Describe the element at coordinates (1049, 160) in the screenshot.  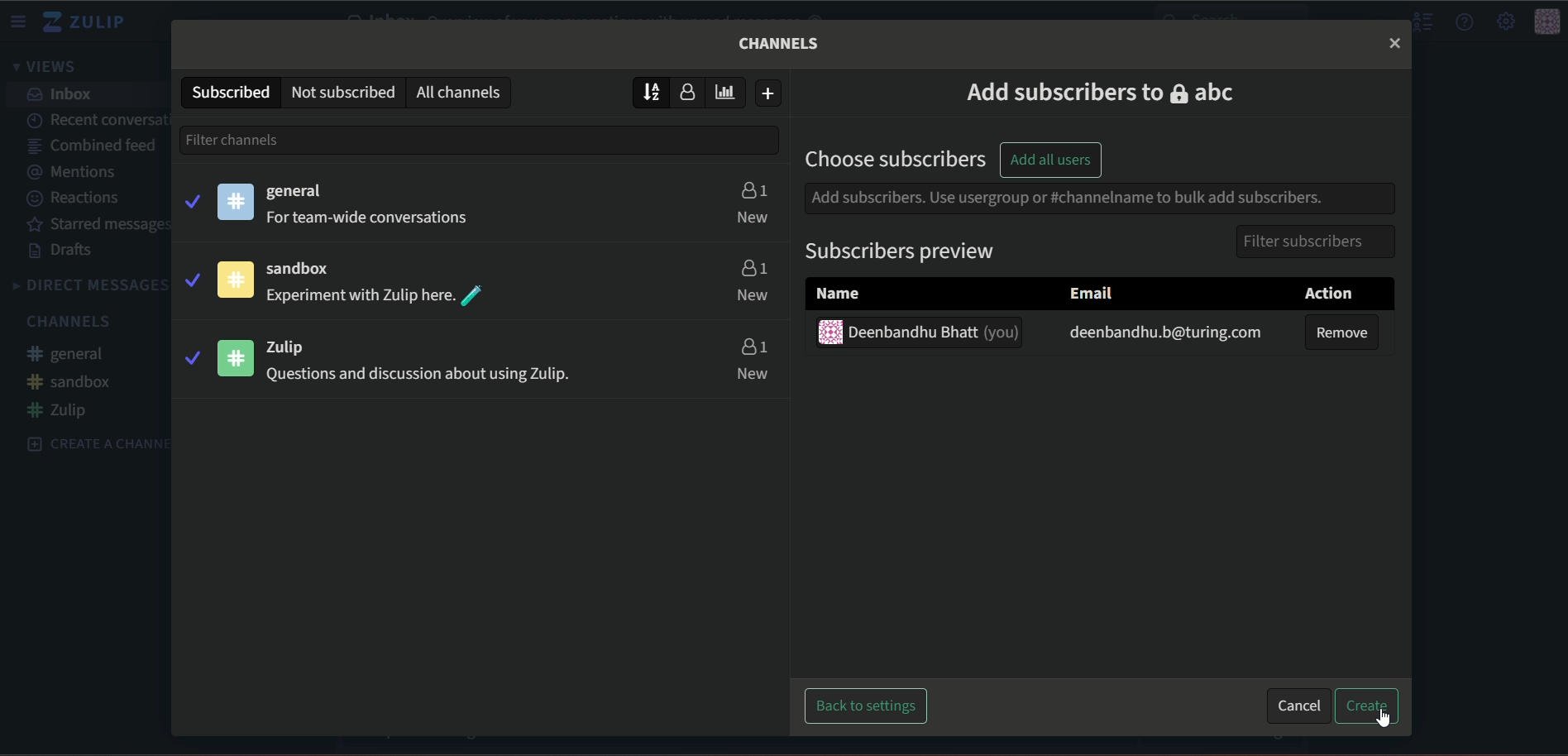
I see `add all users` at that location.